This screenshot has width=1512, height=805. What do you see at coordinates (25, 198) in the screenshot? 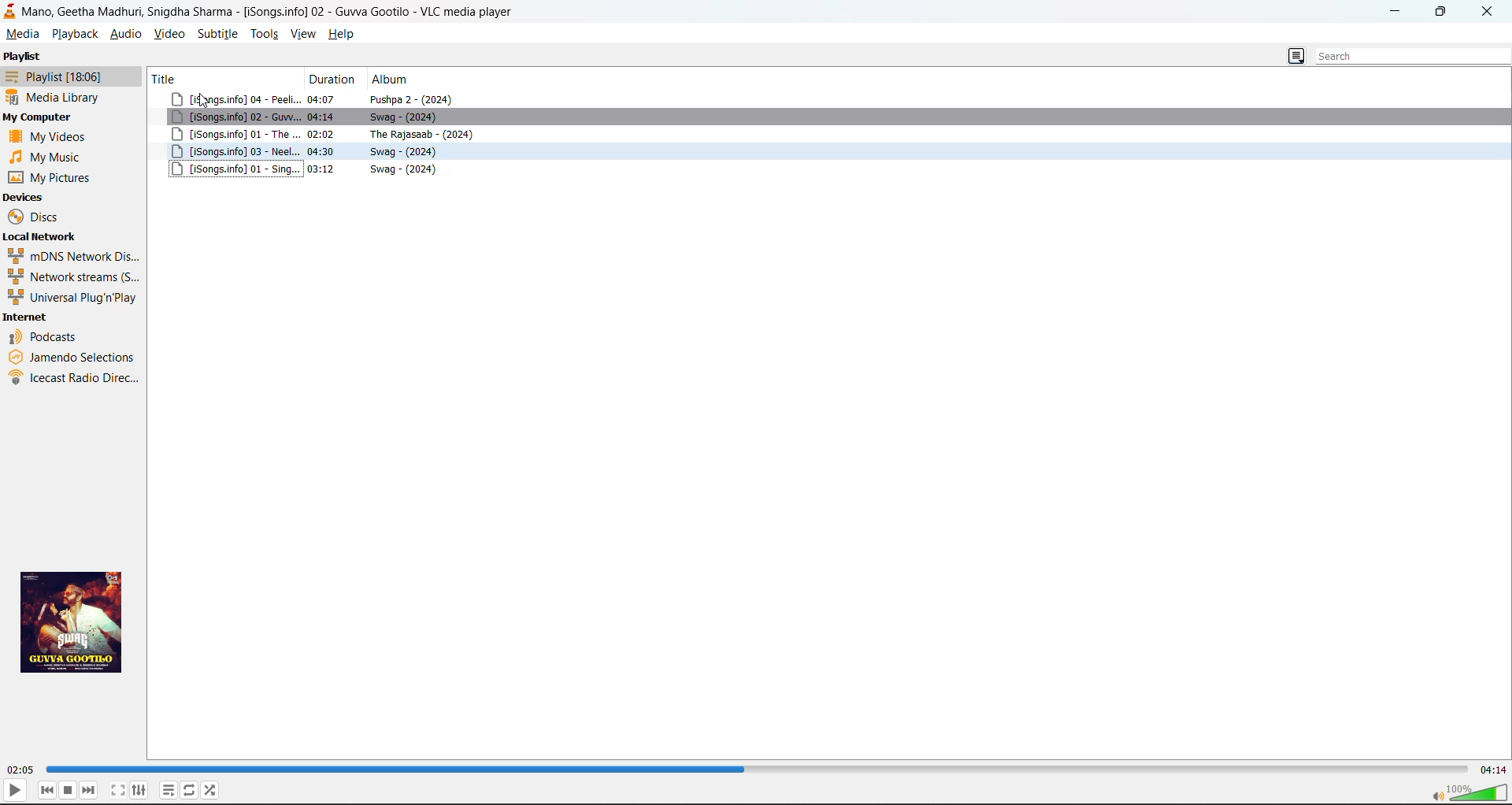
I see `devices` at bounding box center [25, 198].